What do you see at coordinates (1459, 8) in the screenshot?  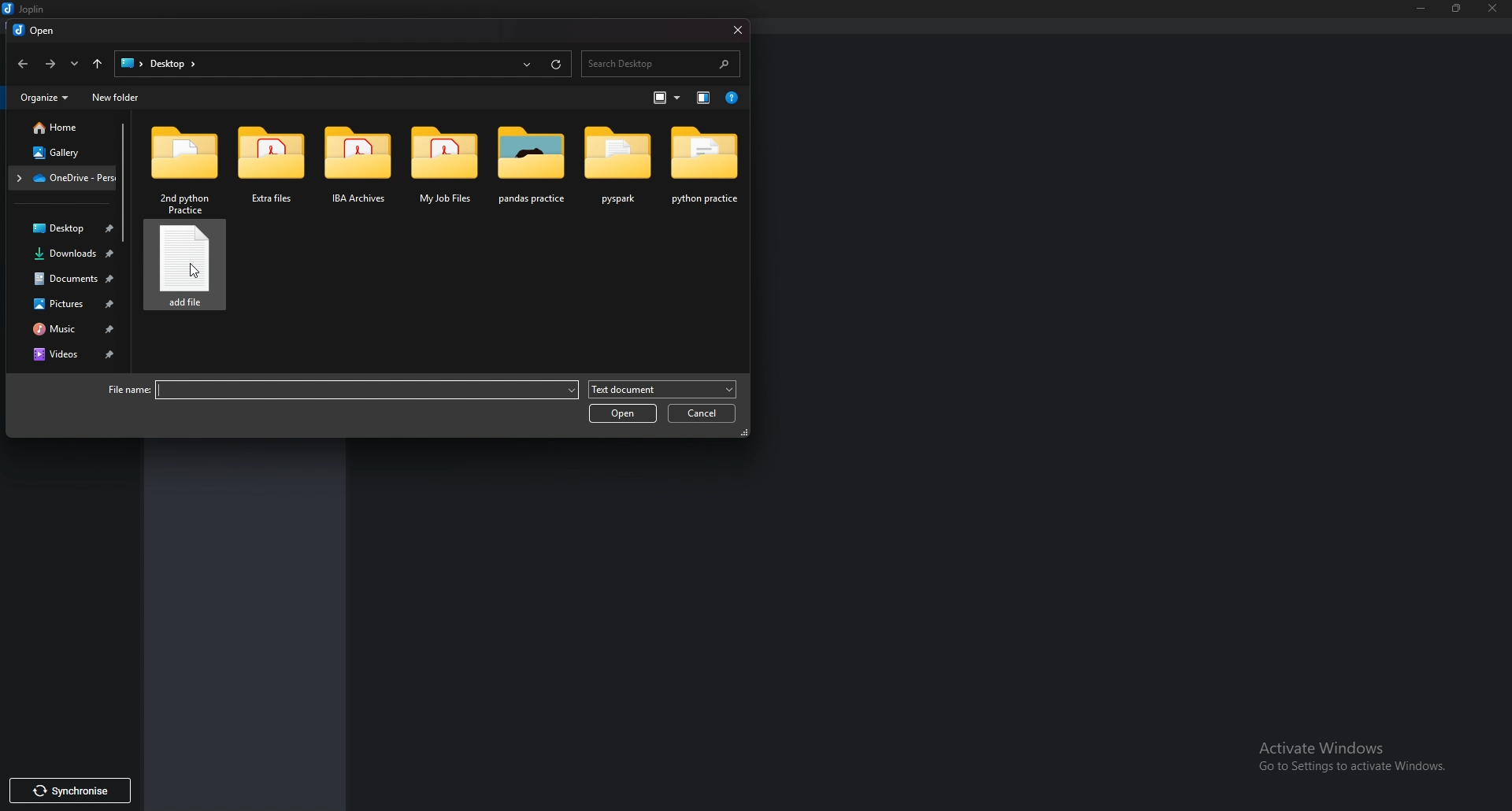 I see `Resize` at bounding box center [1459, 8].